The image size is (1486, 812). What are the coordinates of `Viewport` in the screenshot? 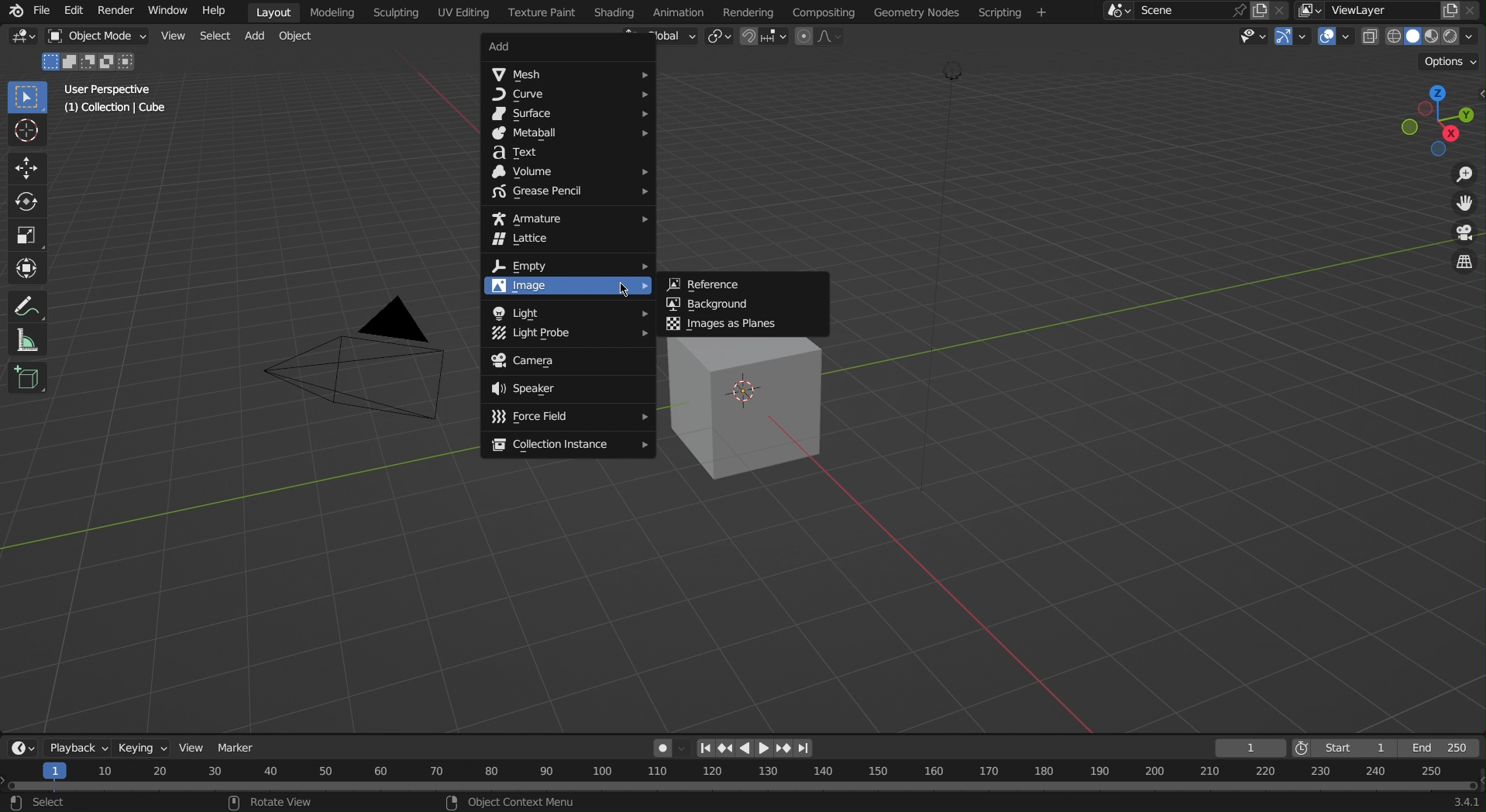 It's located at (1439, 121).